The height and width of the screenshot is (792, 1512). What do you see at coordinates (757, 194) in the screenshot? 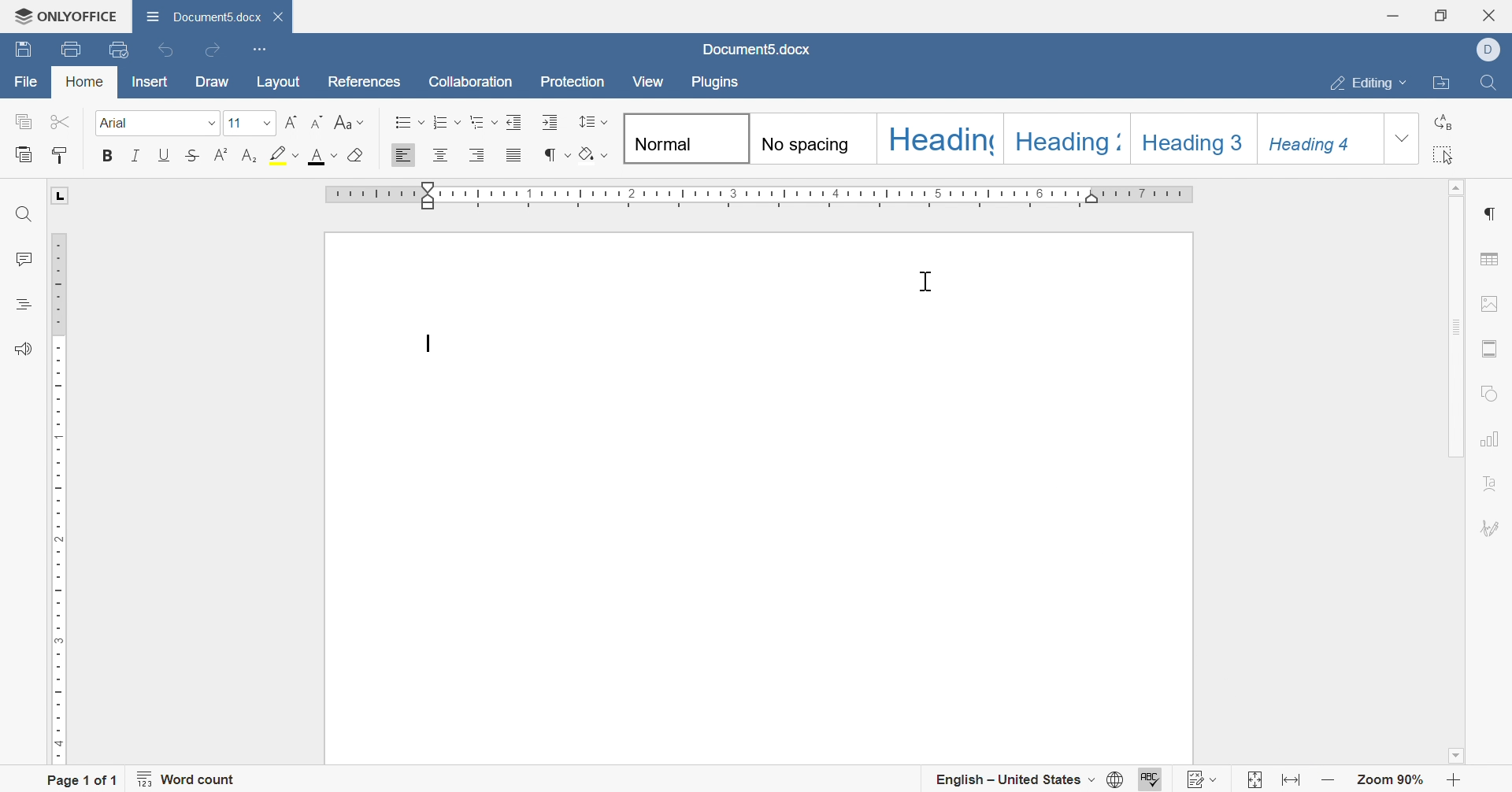
I see `ruler` at bounding box center [757, 194].